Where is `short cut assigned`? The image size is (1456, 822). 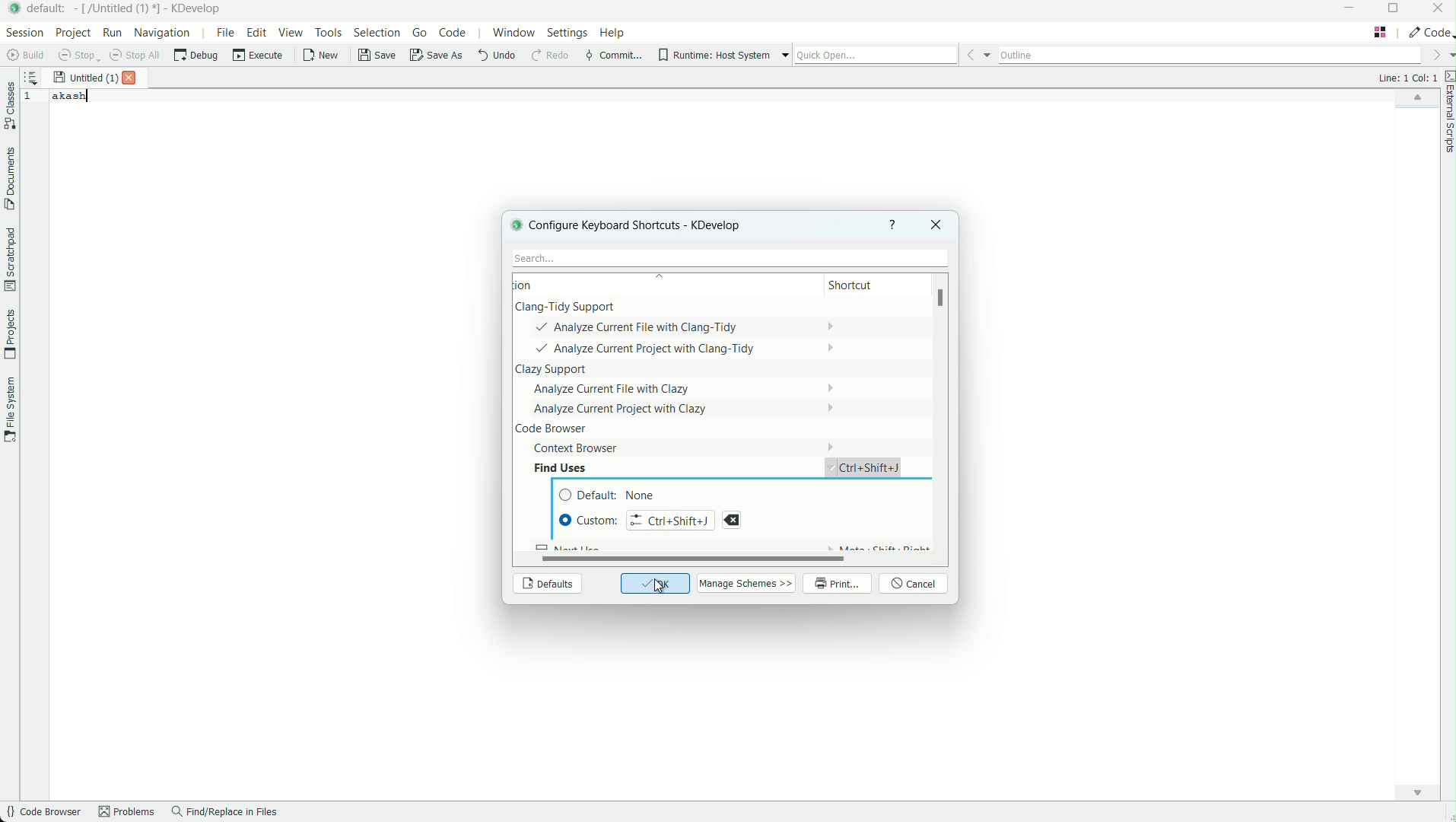 short cut assigned is located at coordinates (863, 468).